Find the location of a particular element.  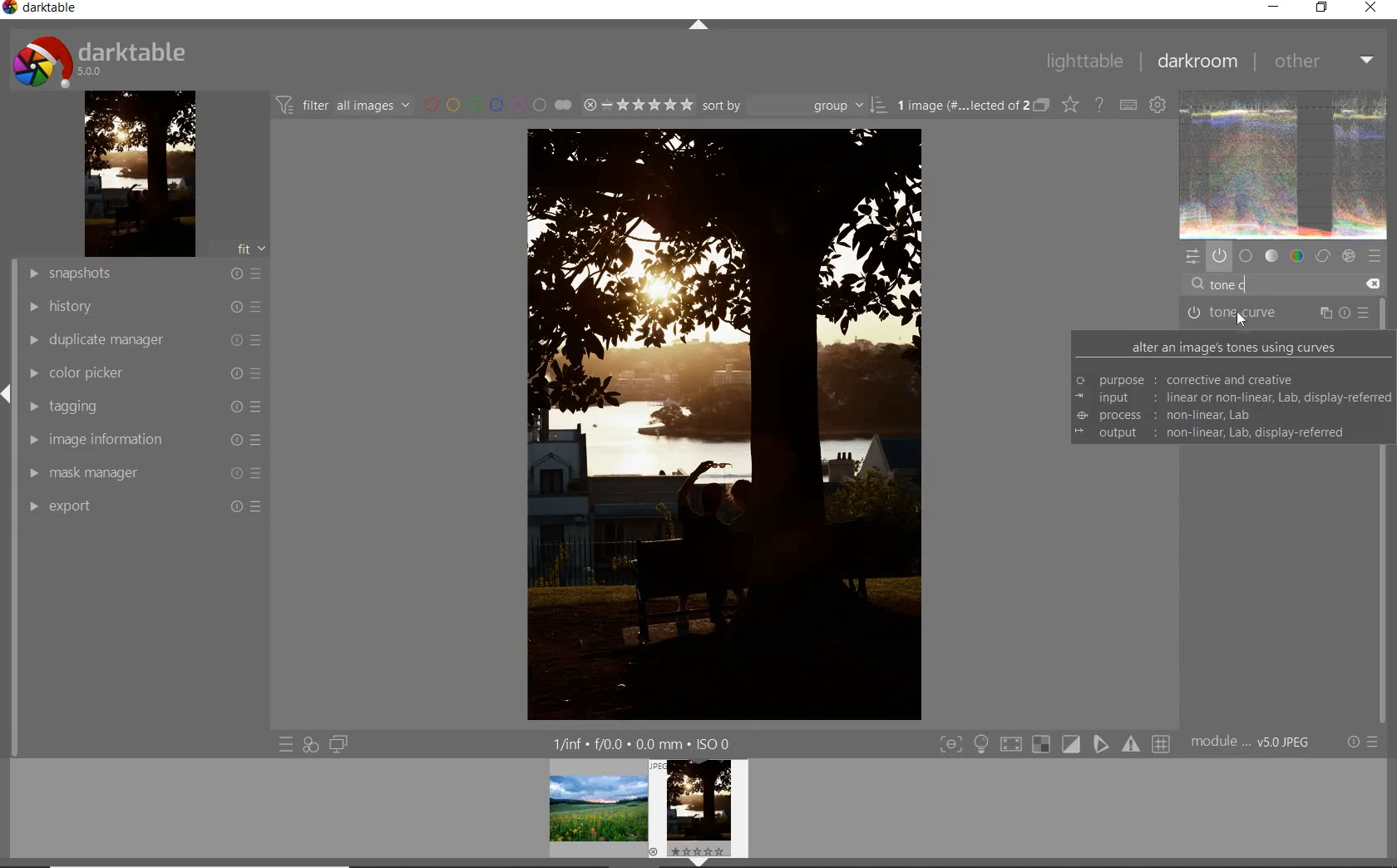

ALTER AN IMAGE'S TONES USING CURVES purpose: corrective and Creative input: linear or non-linear; lab; display referred process: non-linear lab output: non-linear; lab; display referred is located at coordinates (1235, 389).